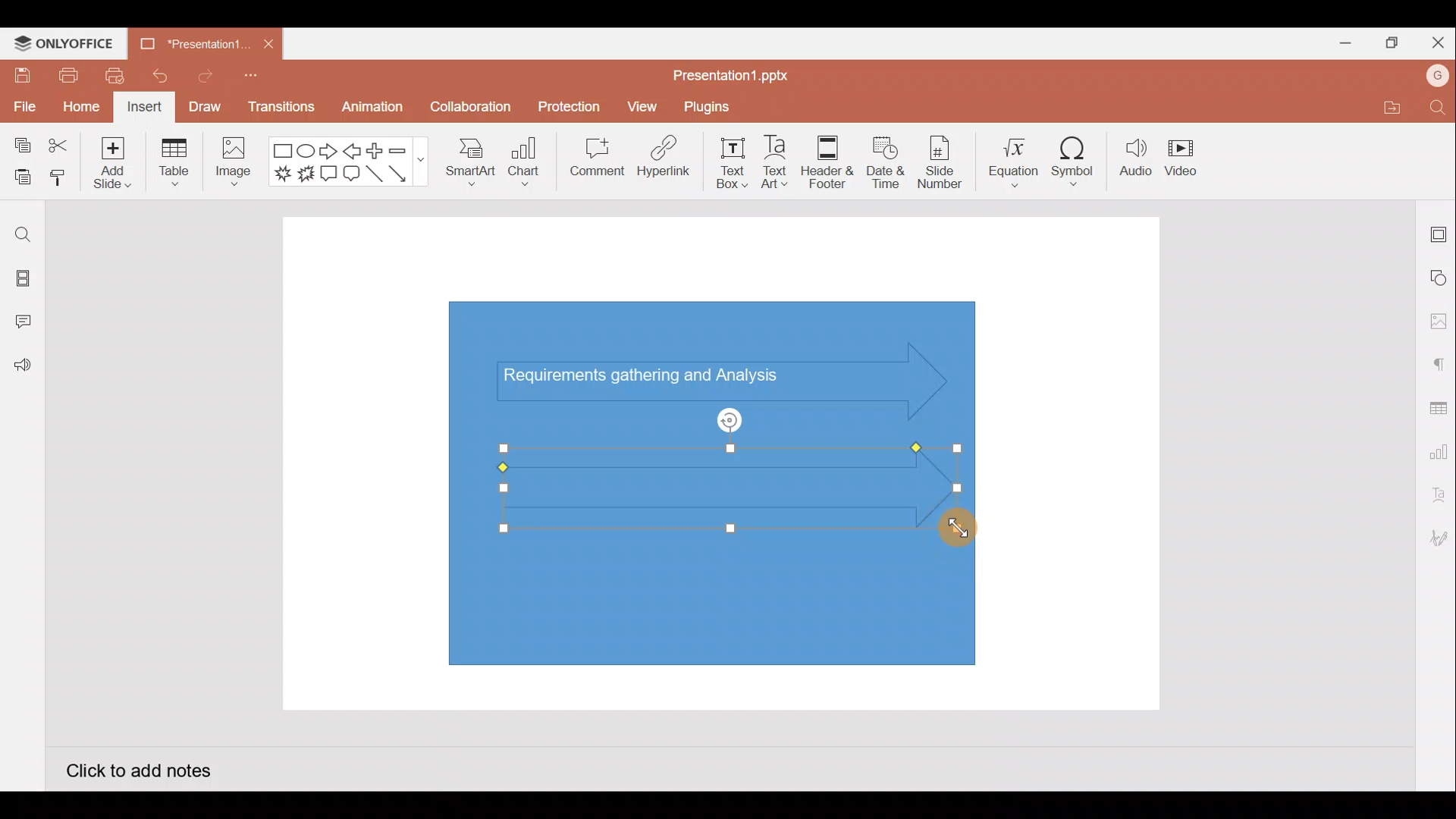 The width and height of the screenshot is (1456, 819). I want to click on View, so click(645, 103).